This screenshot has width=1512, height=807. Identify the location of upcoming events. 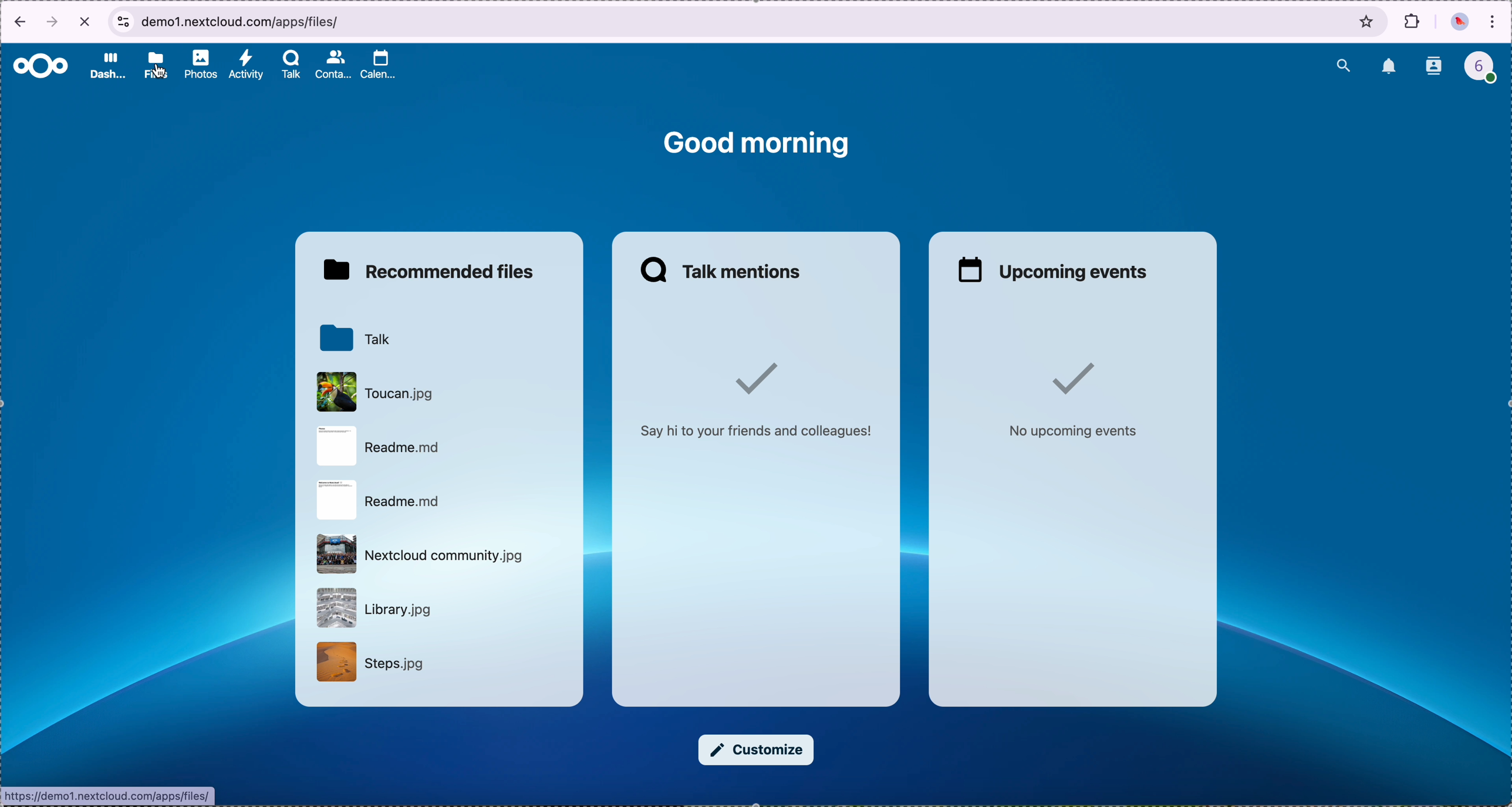
(1047, 269).